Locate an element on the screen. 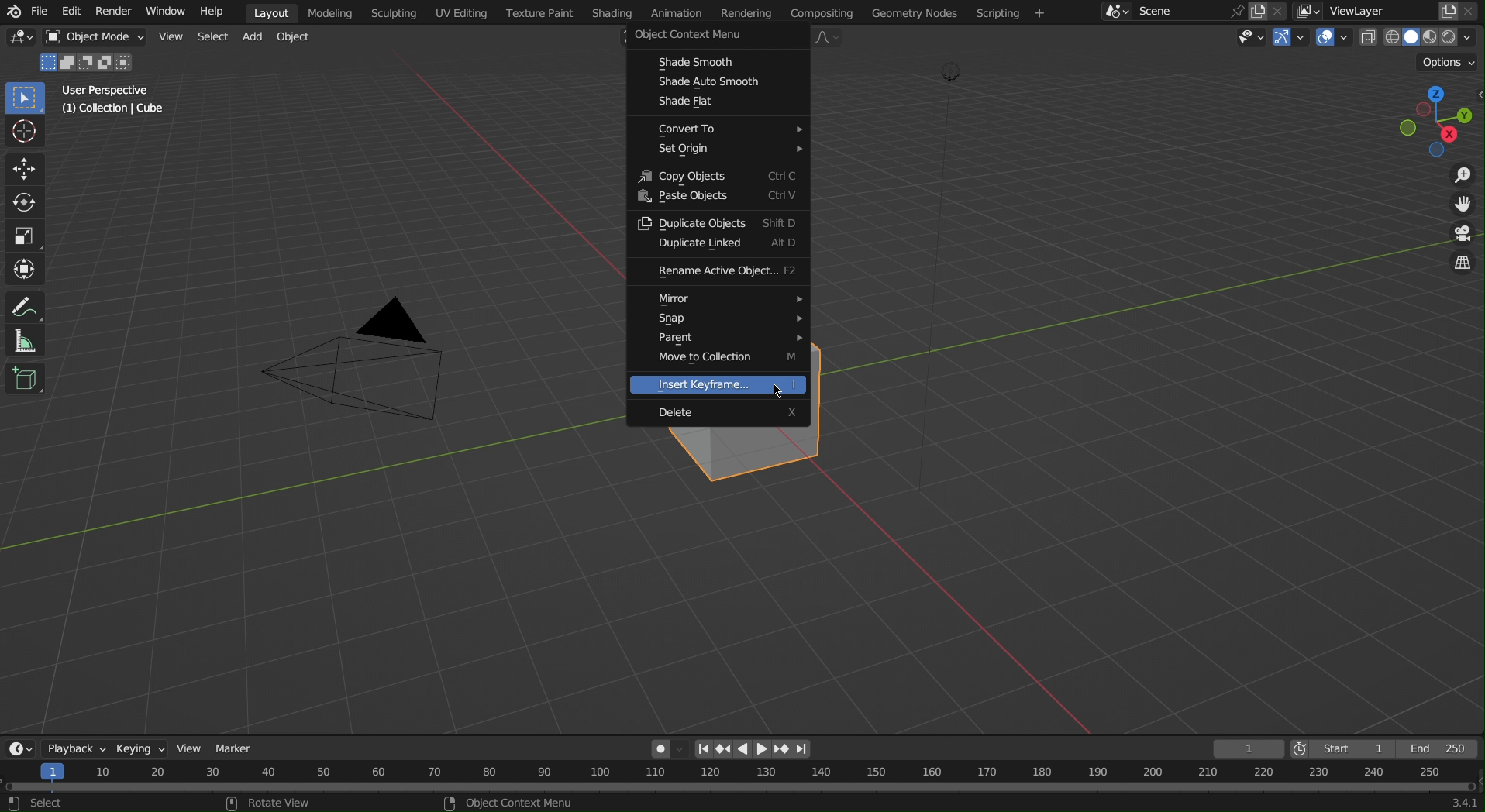 The width and height of the screenshot is (1485, 812). Measure is located at coordinates (26, 341).